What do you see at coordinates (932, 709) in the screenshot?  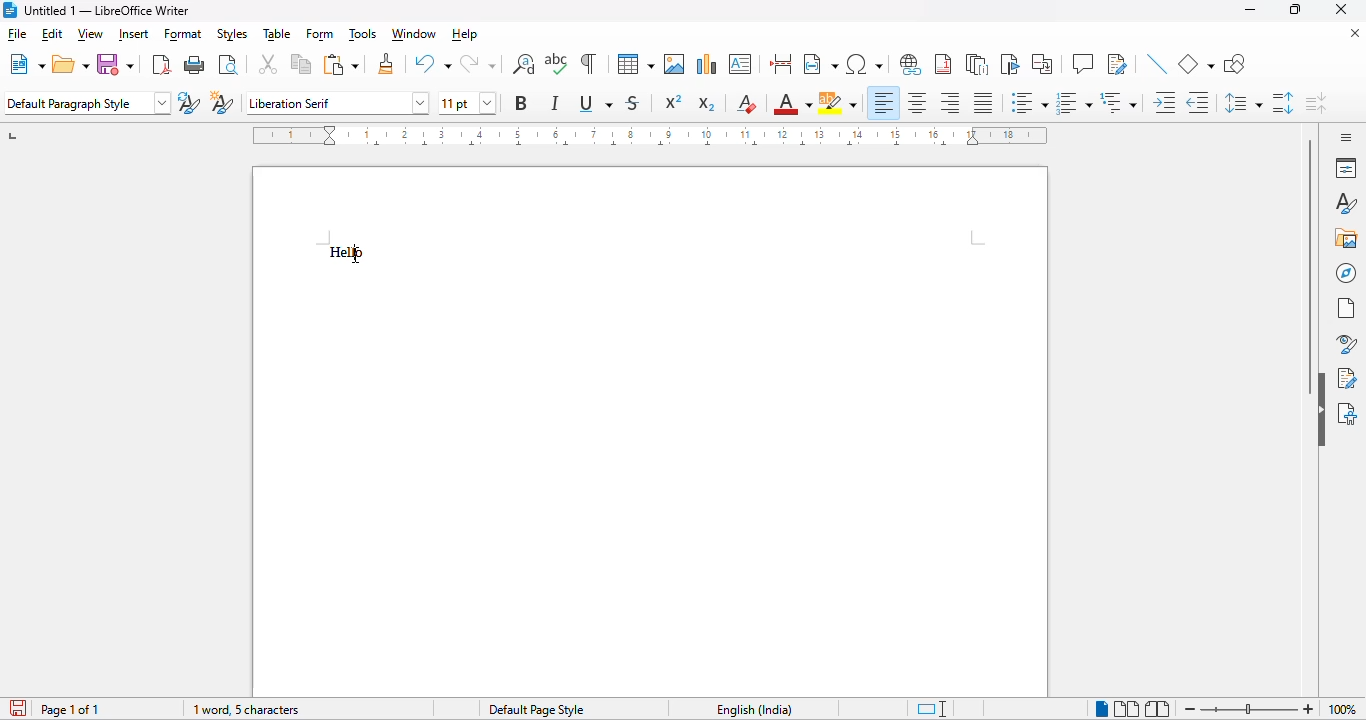 I see `standard selection` at bounding box center [932, 709].